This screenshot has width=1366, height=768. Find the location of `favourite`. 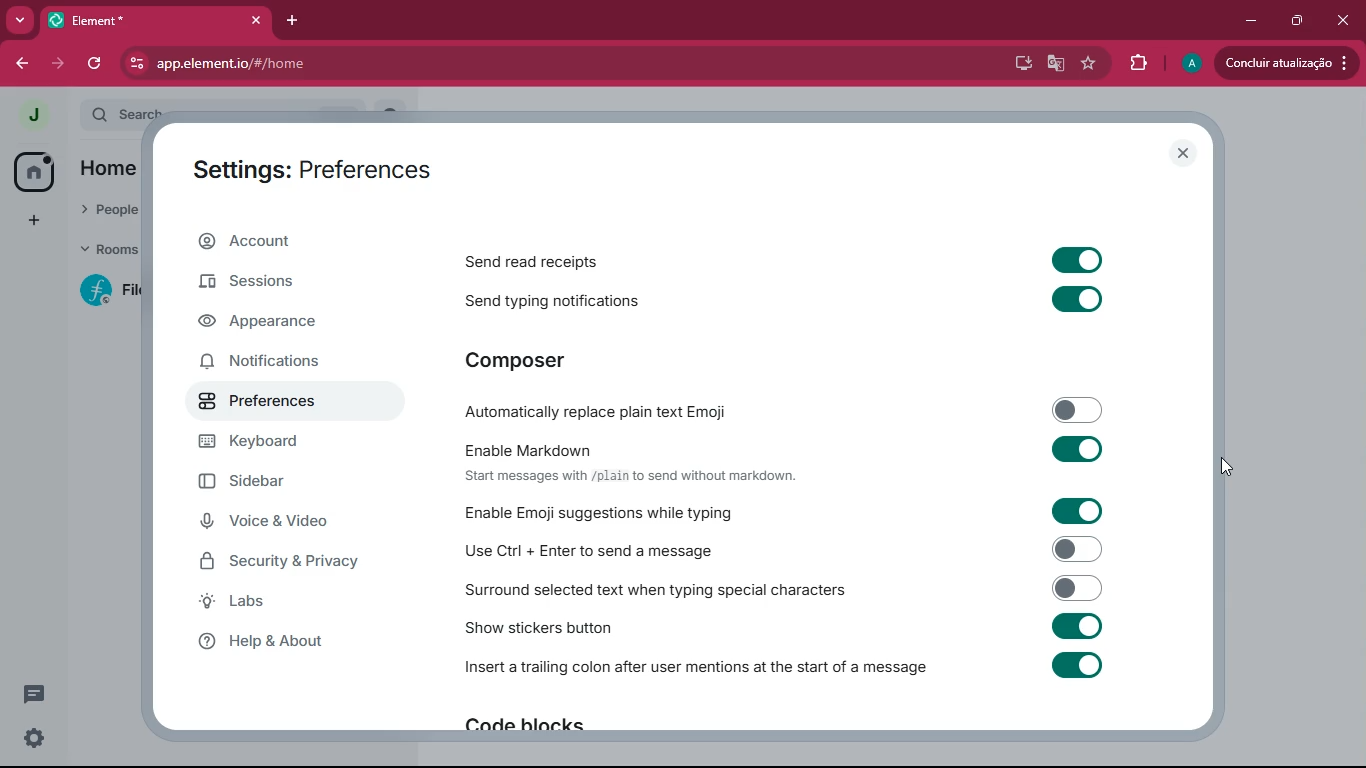

favourite is located at coordinates (1089, 64).